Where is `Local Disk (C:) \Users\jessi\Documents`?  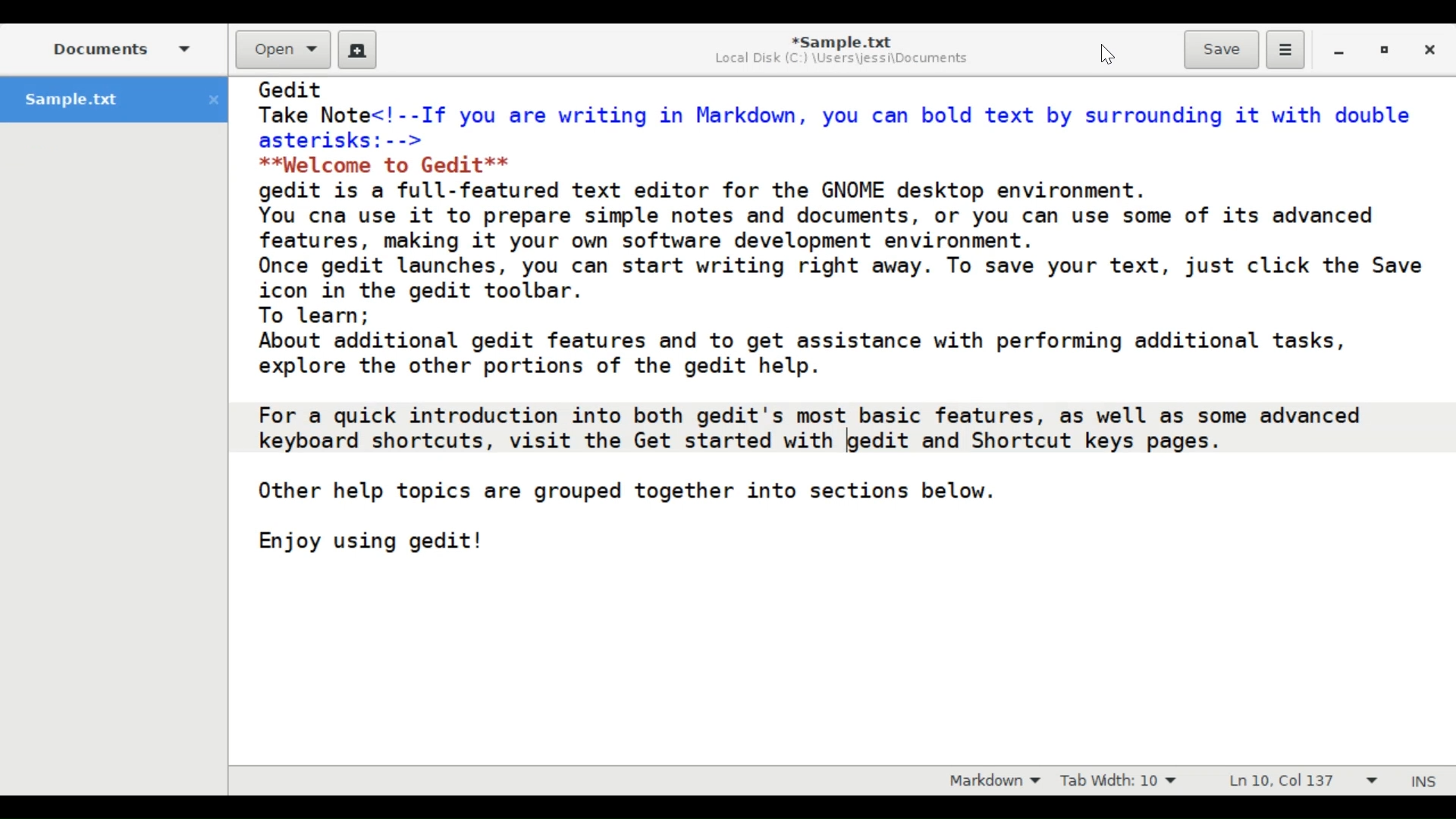 Local Disk (C:) \Users\jessi\Documents is located at coordinates (841, 58).